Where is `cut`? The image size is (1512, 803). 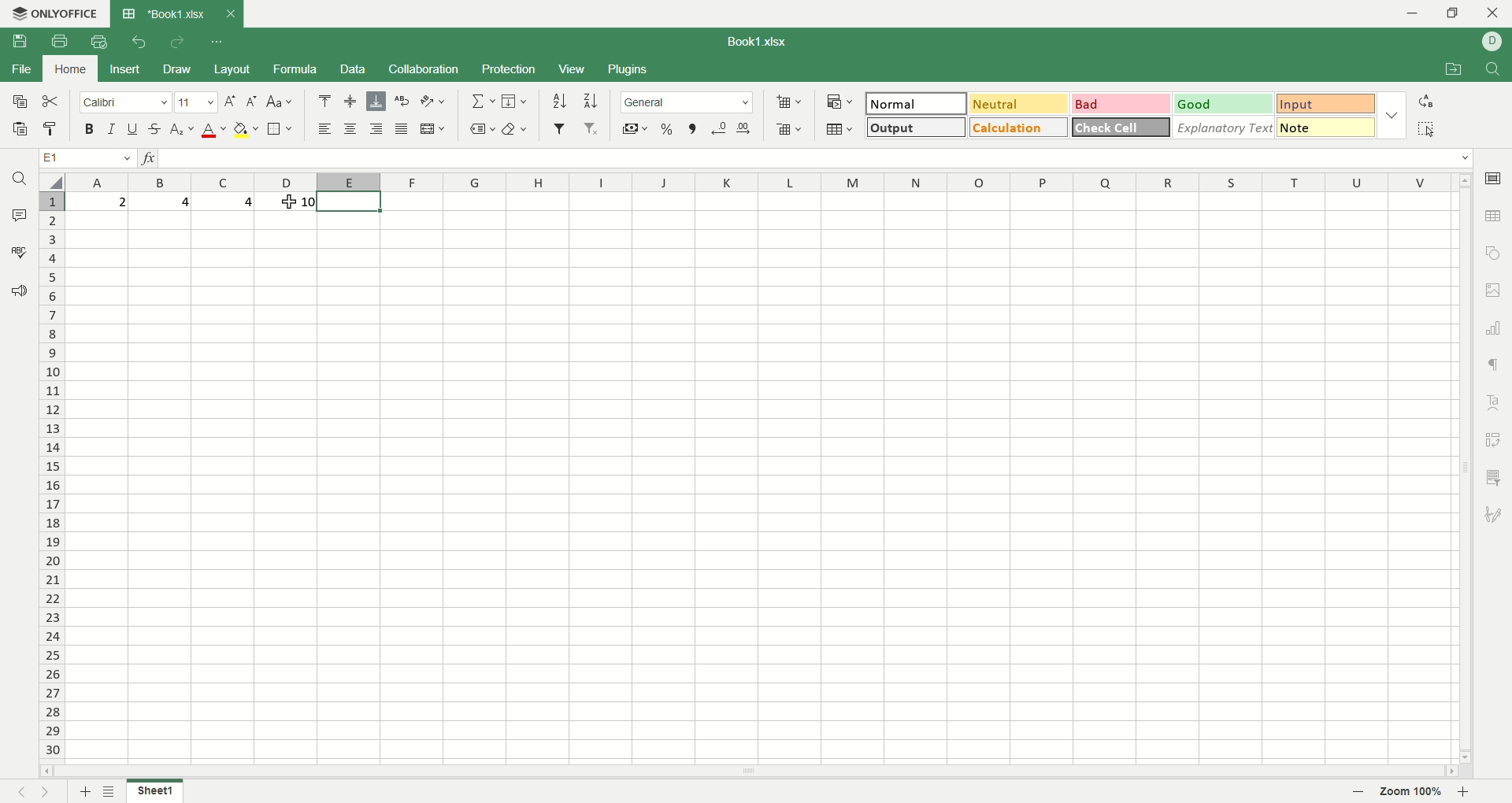 cut is located at coordinates (53, 100).